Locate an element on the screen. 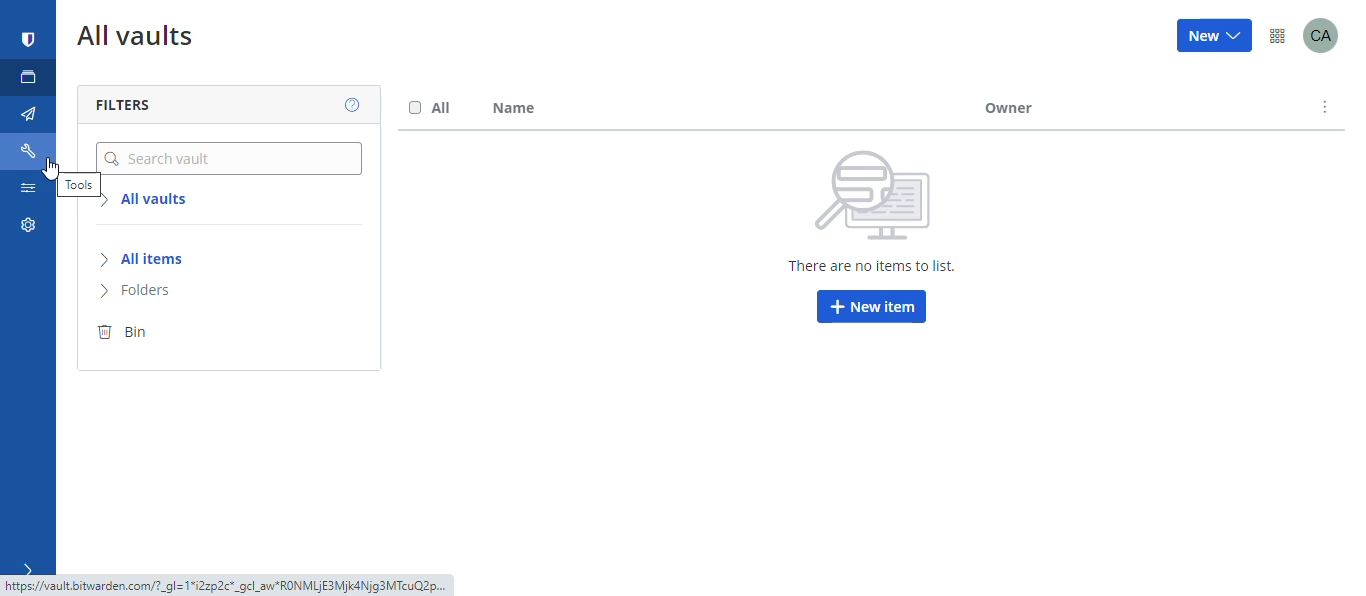 The image size is (1366, 596). menu is located at coordinates (1277, 34).